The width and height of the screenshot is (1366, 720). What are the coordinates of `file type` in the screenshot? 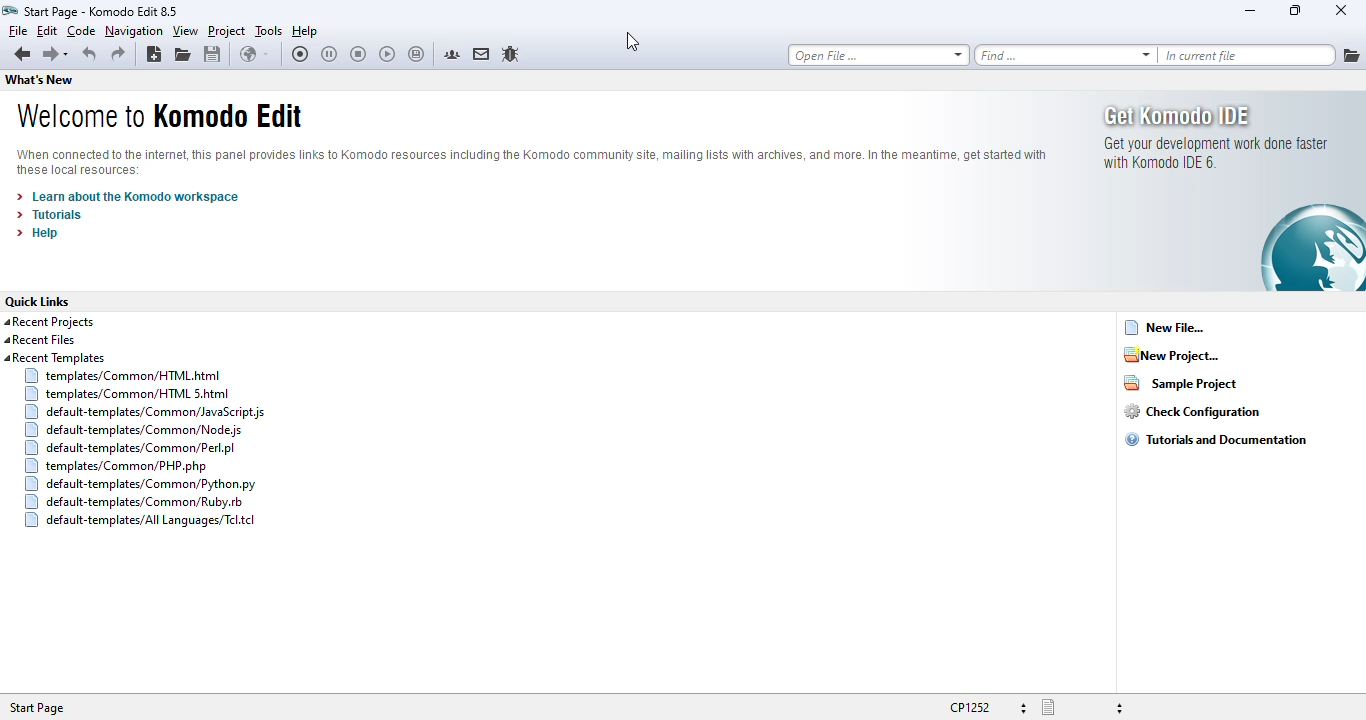 It's located at (1082, 708).